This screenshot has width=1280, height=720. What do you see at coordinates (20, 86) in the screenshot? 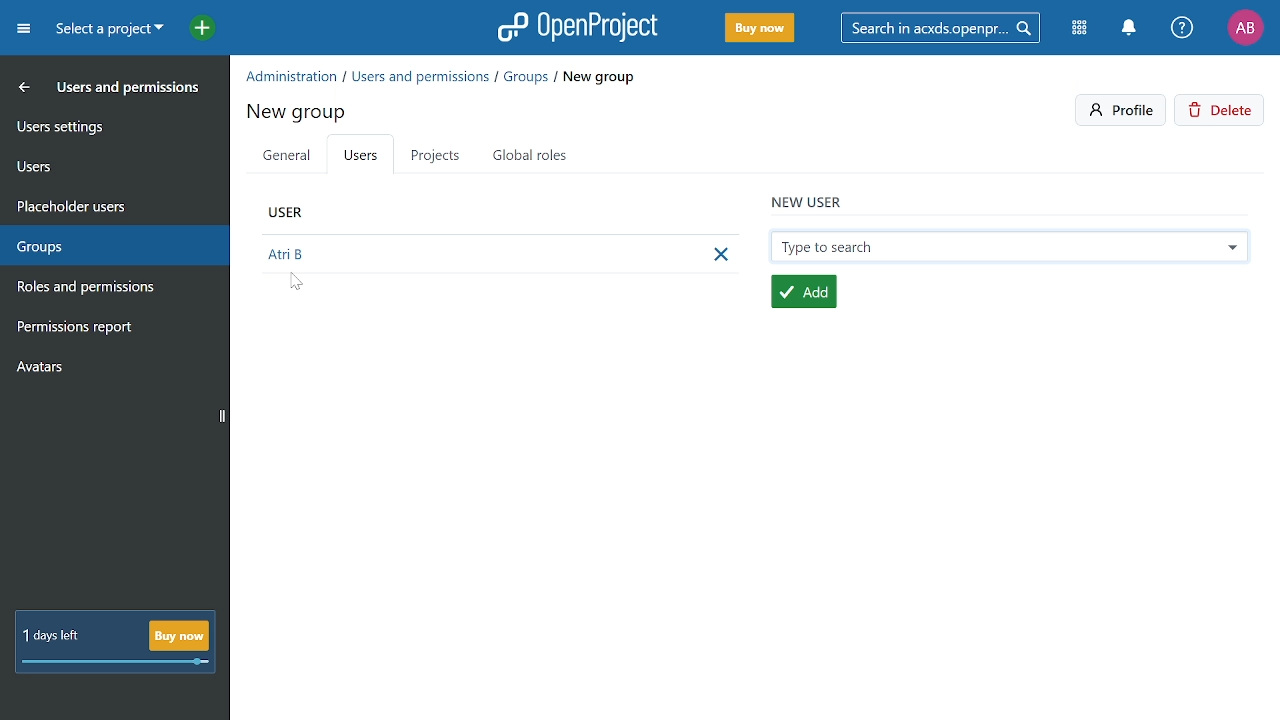
I see `MOve back` at bounding box center [20, 86].